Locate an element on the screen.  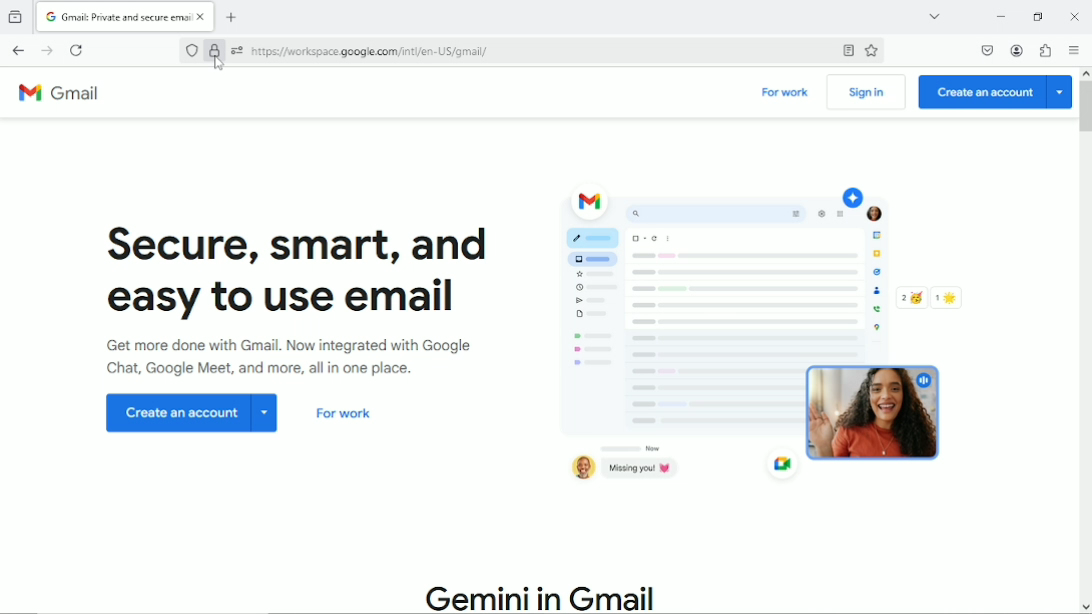
site is located at coordinates (371, 51).